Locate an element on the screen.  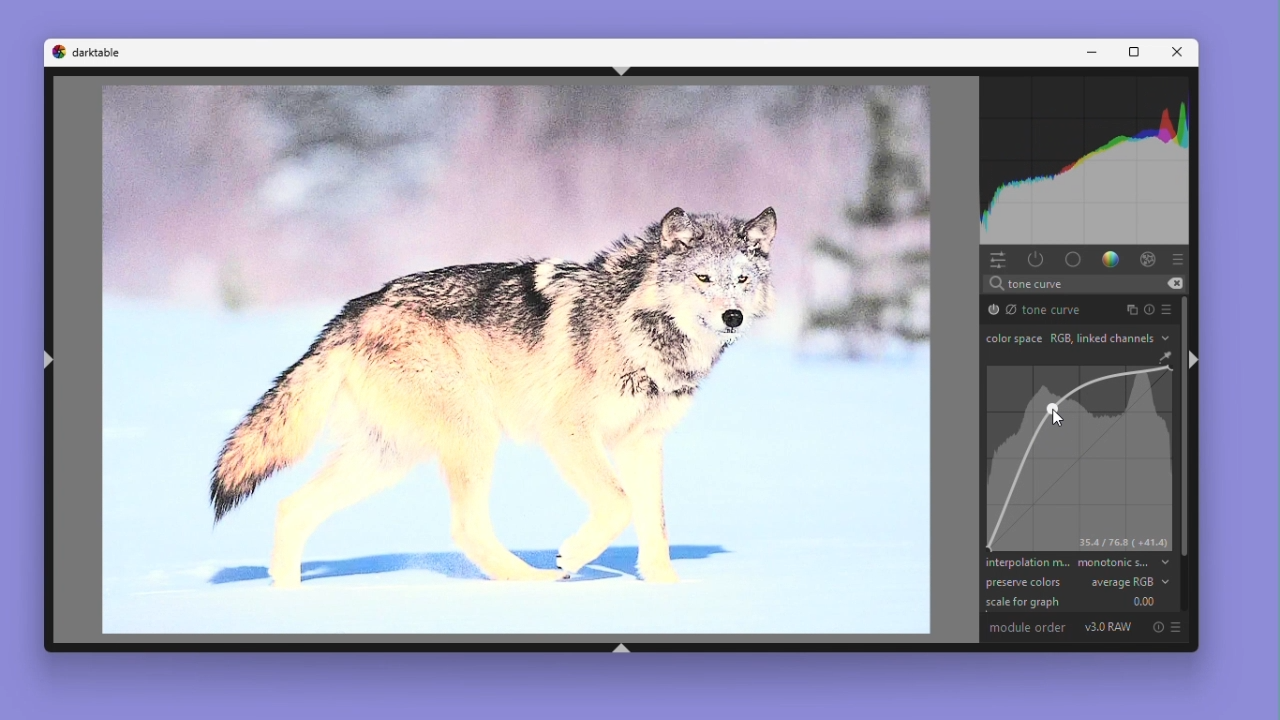
Cursor is located at coordinates (1059, 418).